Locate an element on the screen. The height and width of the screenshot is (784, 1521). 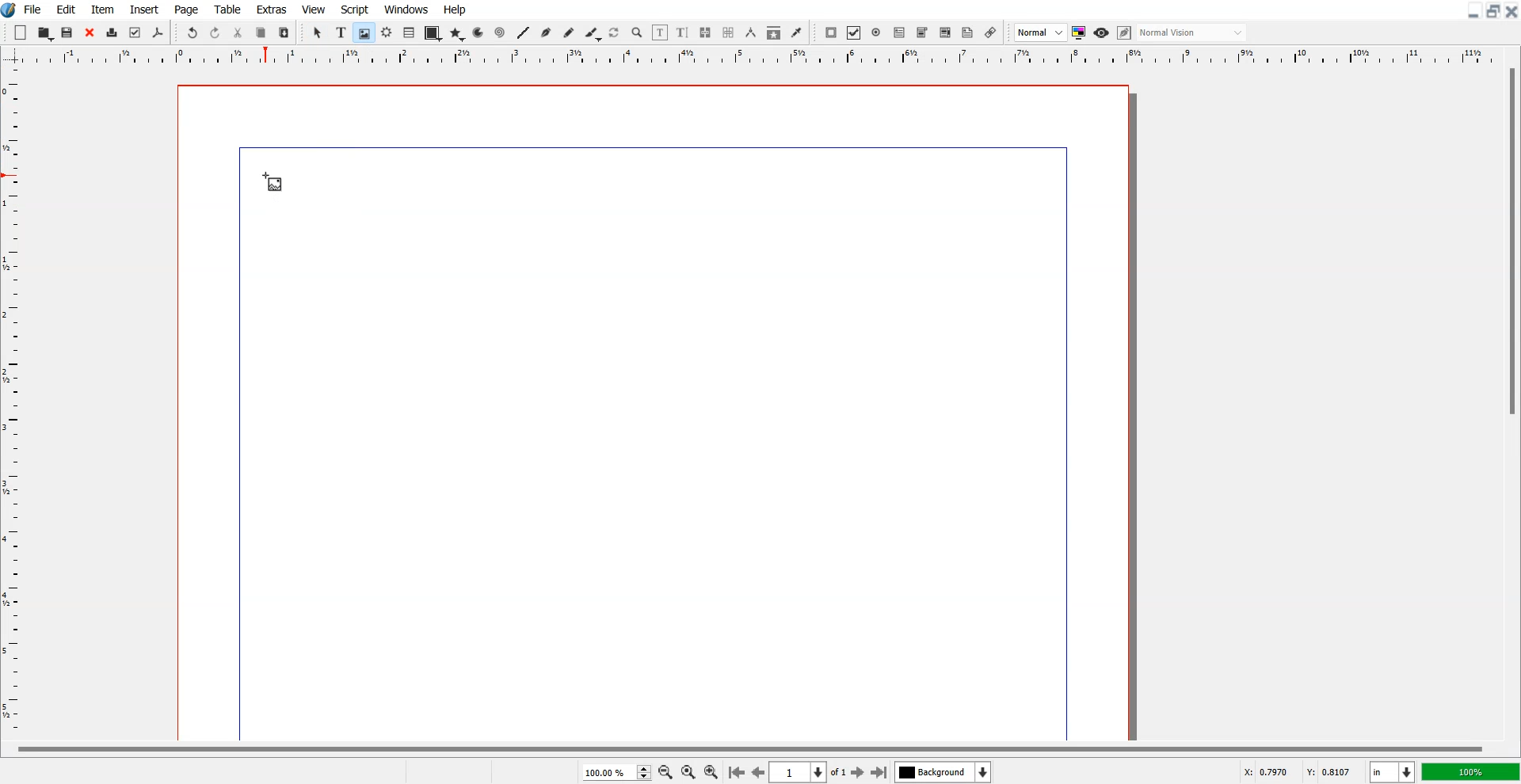
Zoom to 100% is located at coordinates (688, 771).